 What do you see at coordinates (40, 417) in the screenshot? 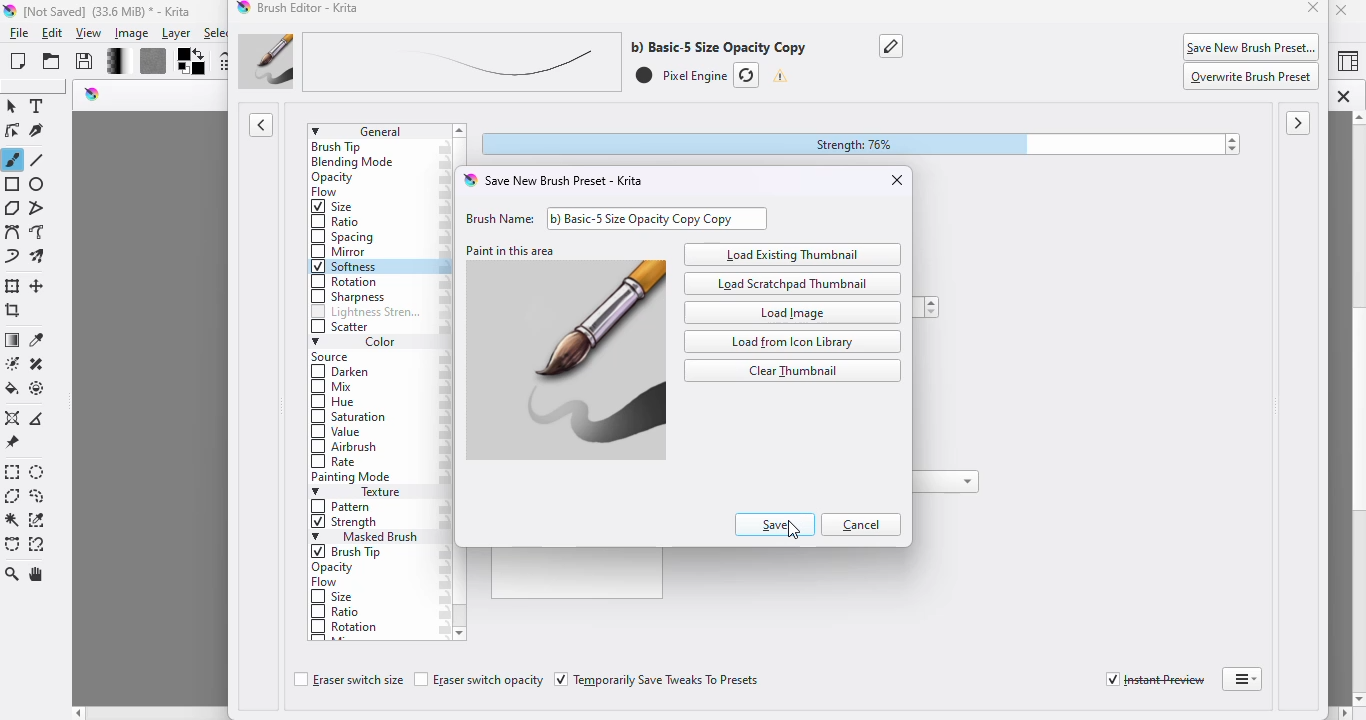
I see `measure the distance between two points` at bounding box center [40, 417].